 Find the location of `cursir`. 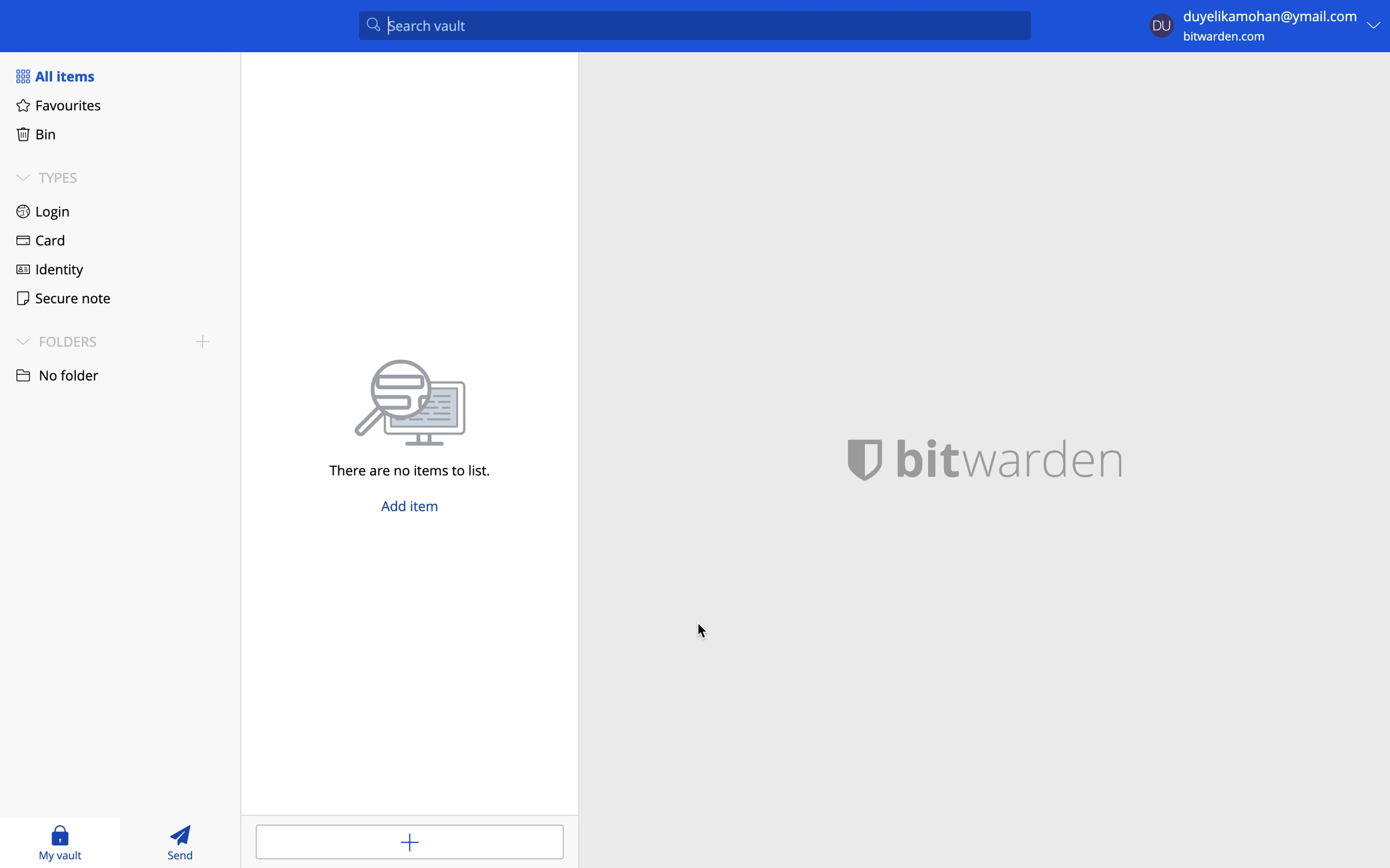

cursir is located at coordinates (702, 630).